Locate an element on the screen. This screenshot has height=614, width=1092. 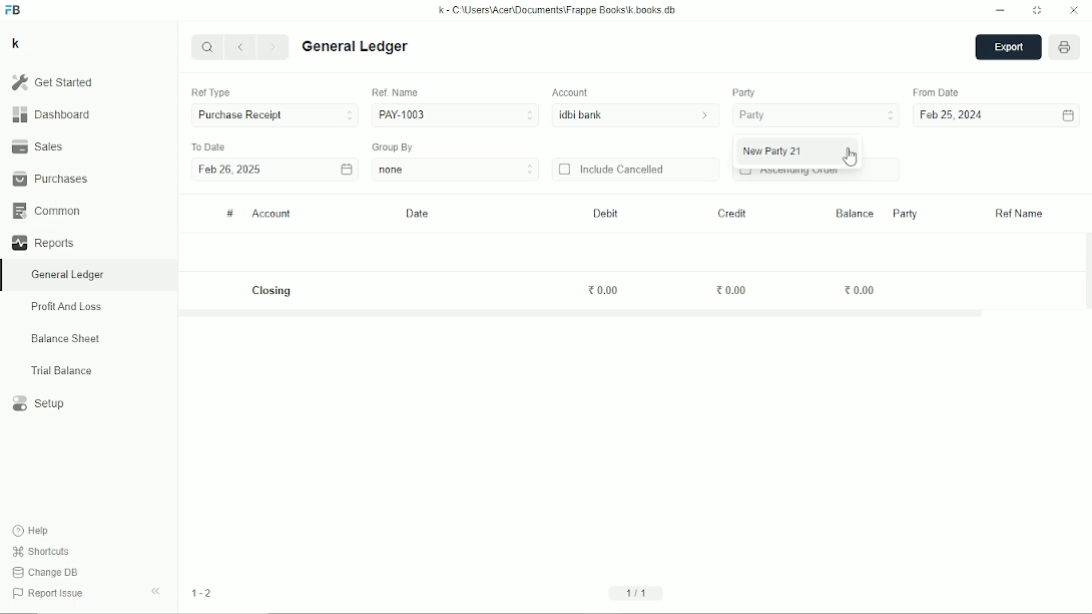
Closing is located at coordinates (274, 291).